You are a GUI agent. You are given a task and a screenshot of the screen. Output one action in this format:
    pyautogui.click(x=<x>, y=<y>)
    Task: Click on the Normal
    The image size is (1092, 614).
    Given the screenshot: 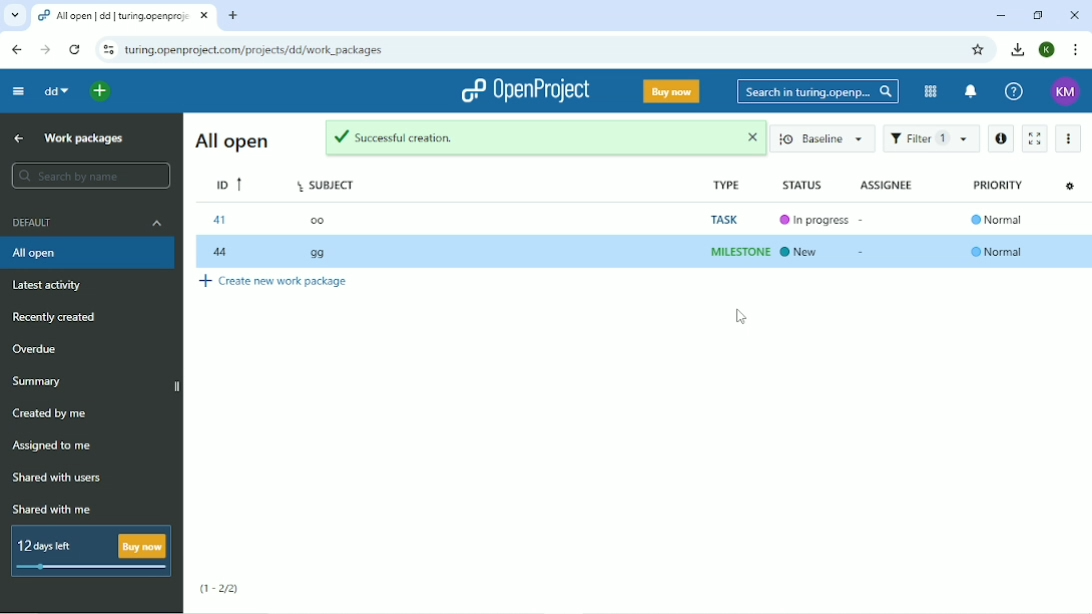 What is the action you would take?
    pyautogui.click(x=997, y=219)
    